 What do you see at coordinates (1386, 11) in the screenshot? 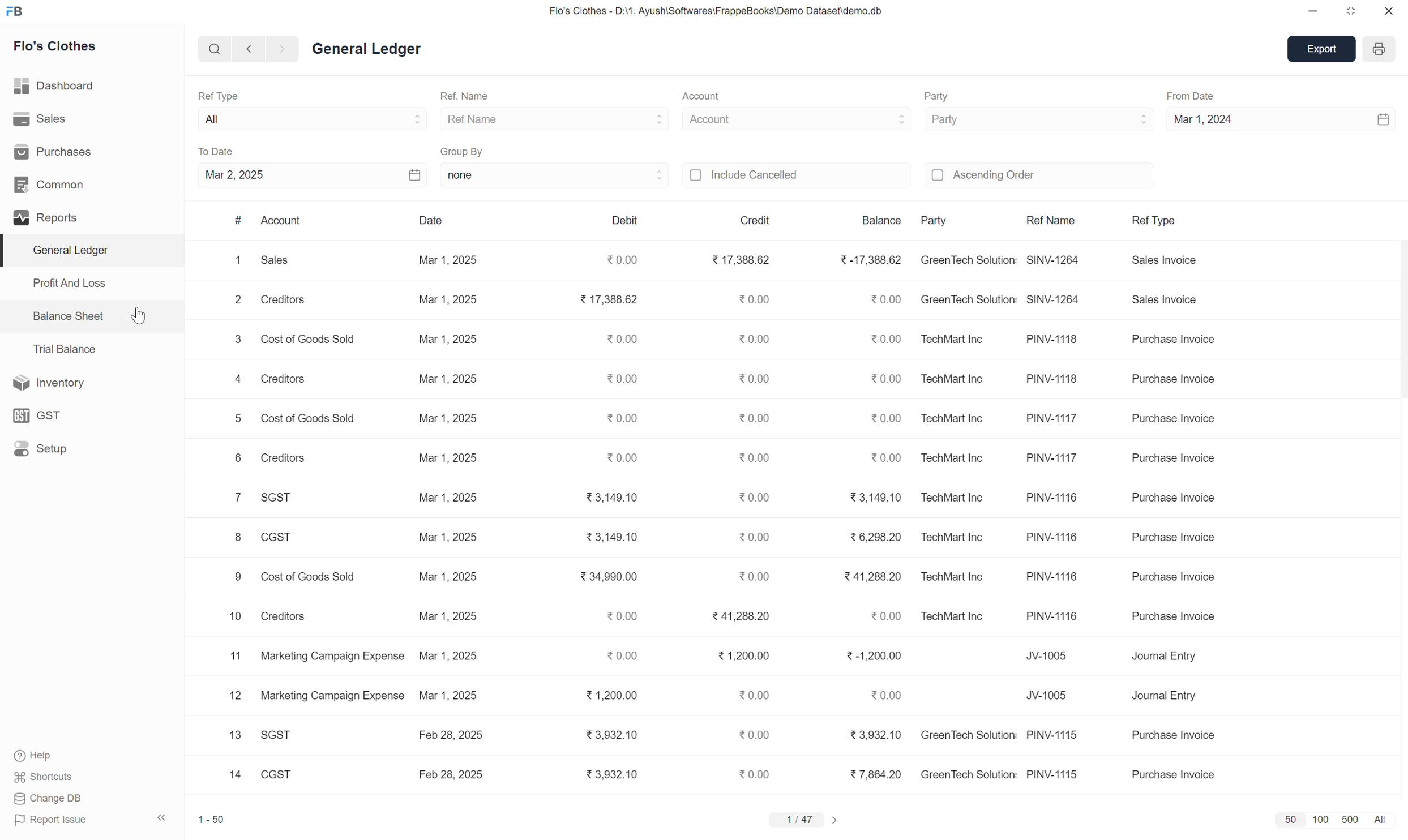
I see `close` at bounding box center [1386, 11].